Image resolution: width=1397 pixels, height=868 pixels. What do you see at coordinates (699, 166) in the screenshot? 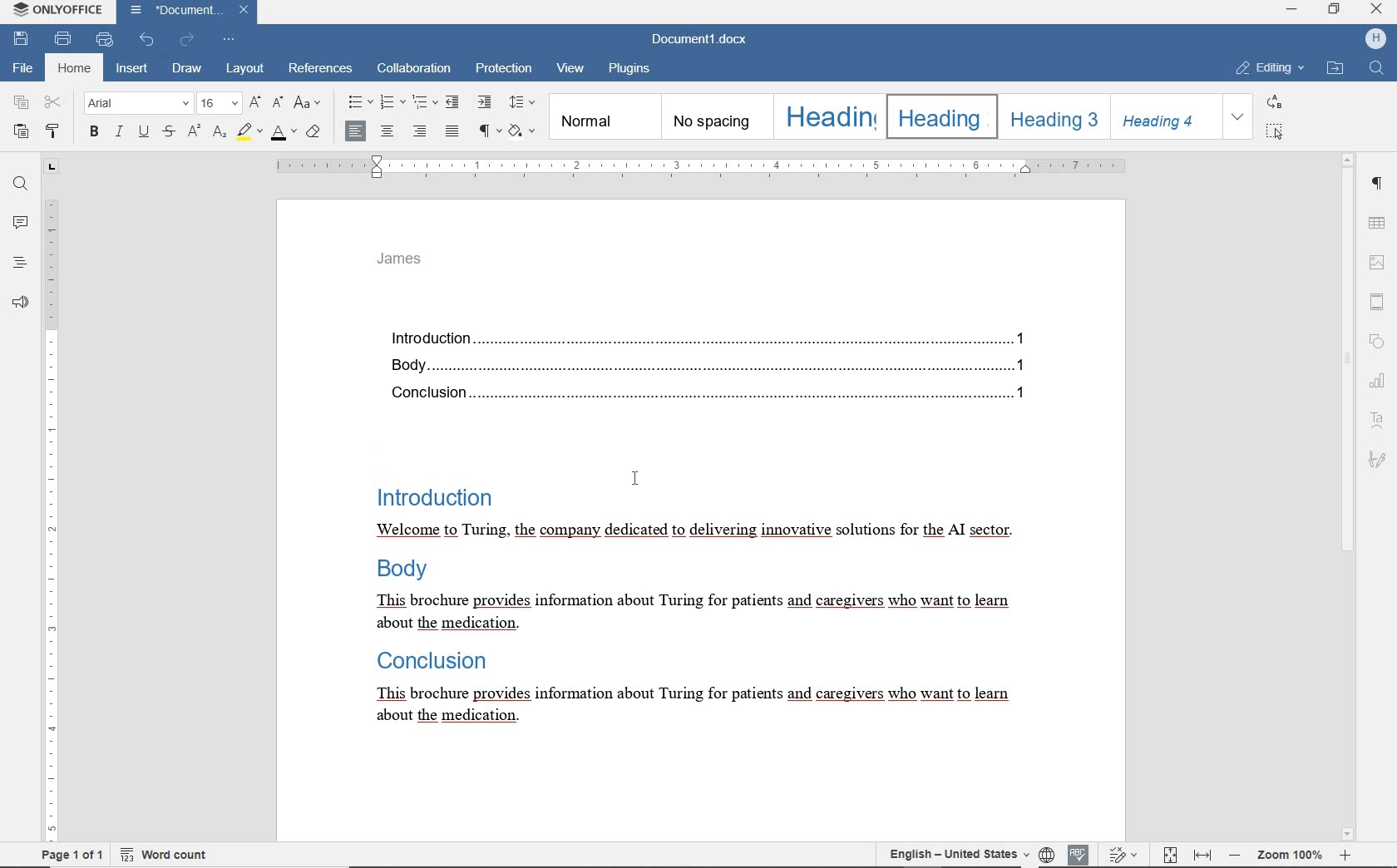
I see `ruler` at bounding box center [699, 166].